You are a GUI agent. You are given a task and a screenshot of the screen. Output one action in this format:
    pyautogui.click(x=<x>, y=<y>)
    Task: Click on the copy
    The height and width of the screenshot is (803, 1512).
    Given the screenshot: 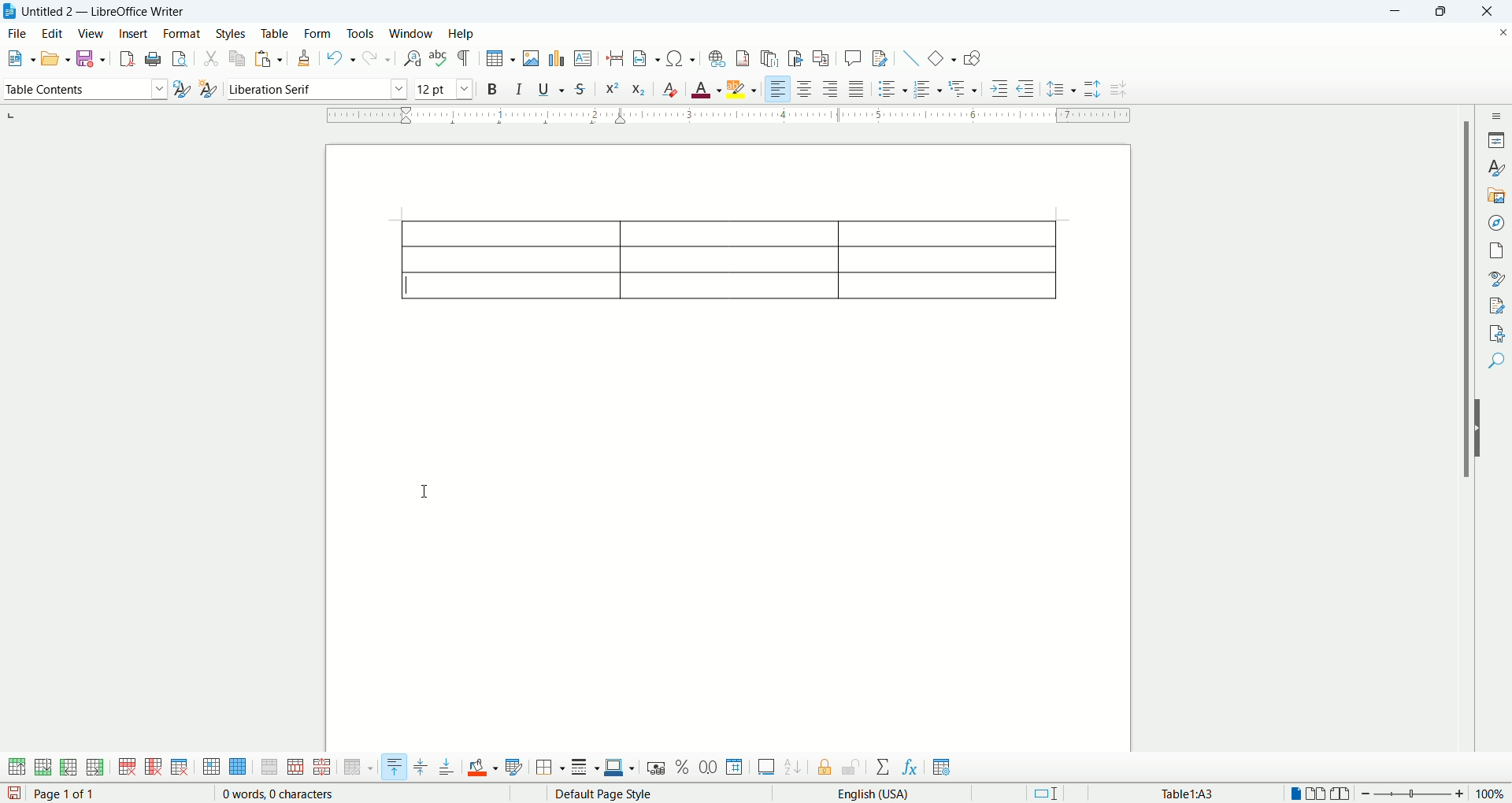 What is the action you would take?
    pyautogui.click(x=235, y=58)
    